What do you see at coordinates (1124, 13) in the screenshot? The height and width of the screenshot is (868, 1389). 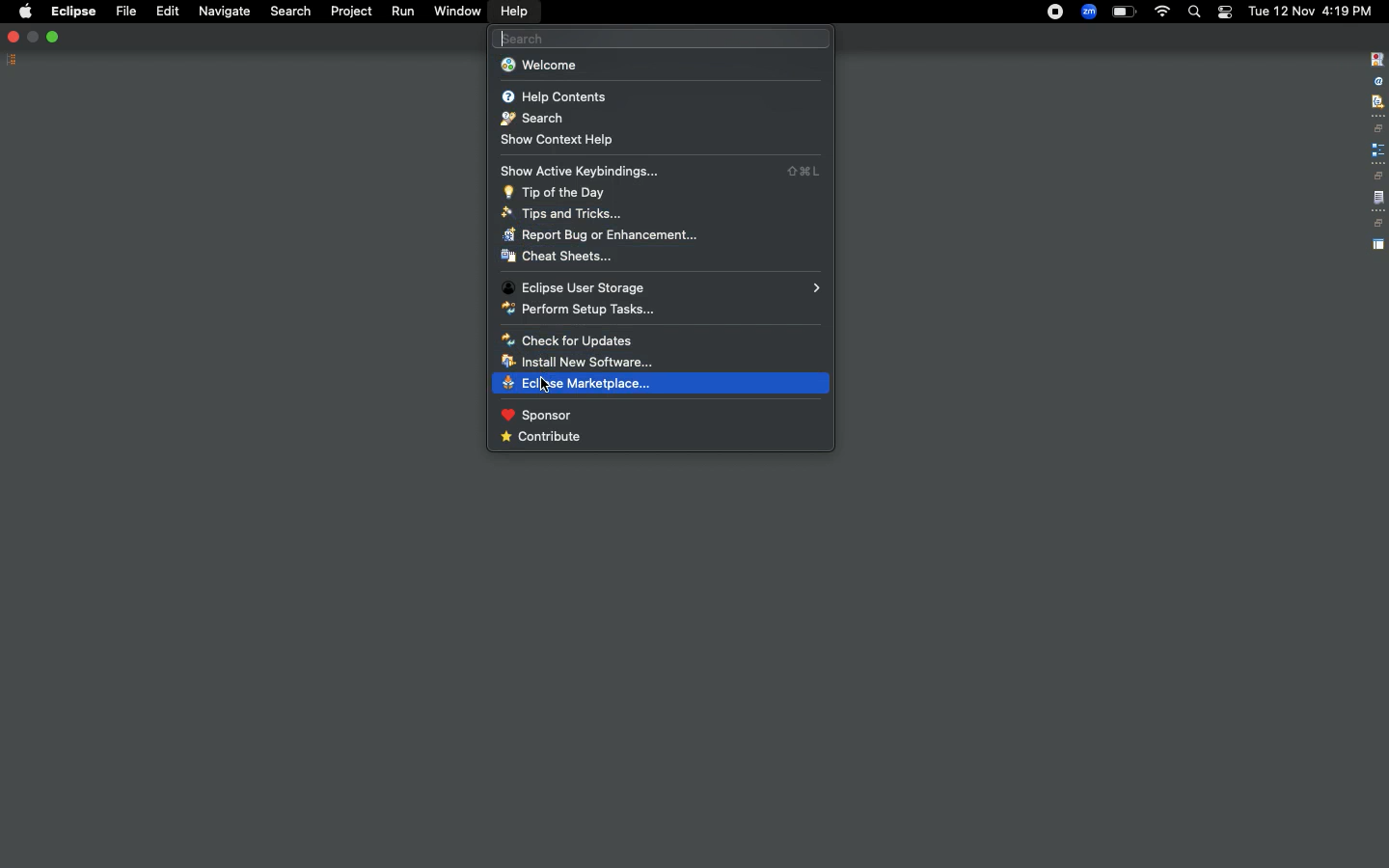 I see `Charge` at bounding box center [1124, 13].